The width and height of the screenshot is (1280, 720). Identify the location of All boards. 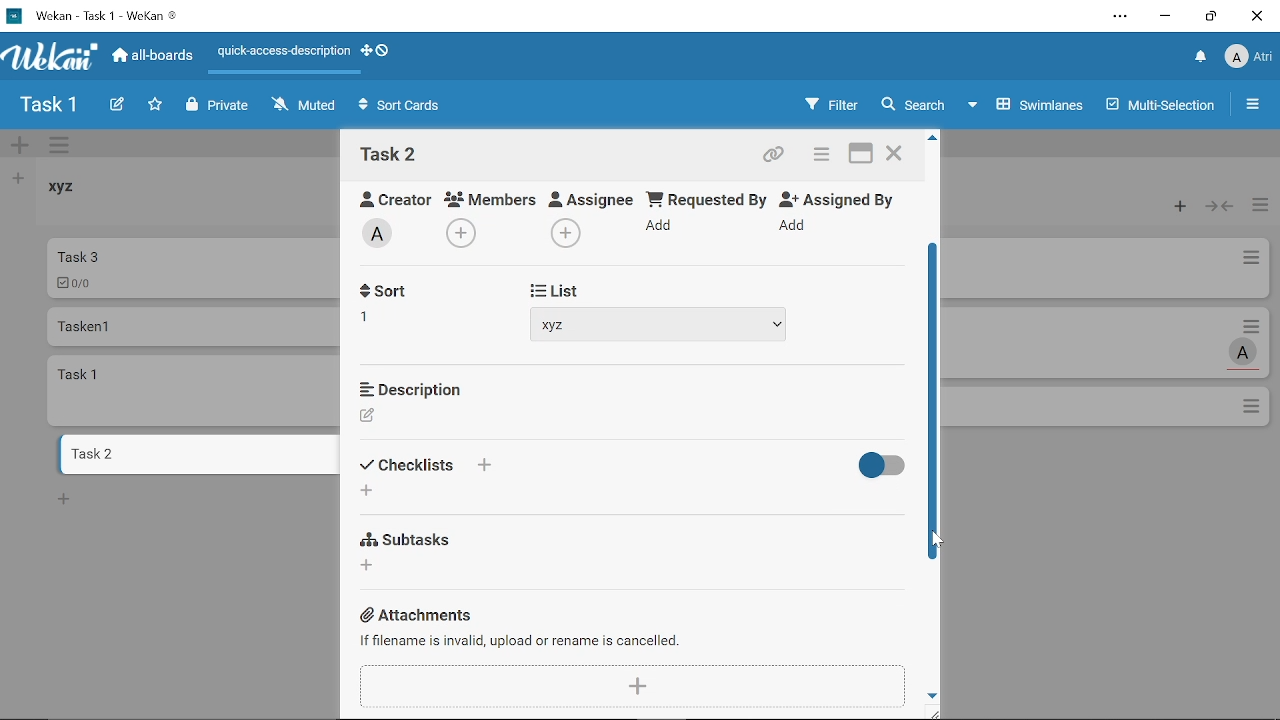
(154, 55).